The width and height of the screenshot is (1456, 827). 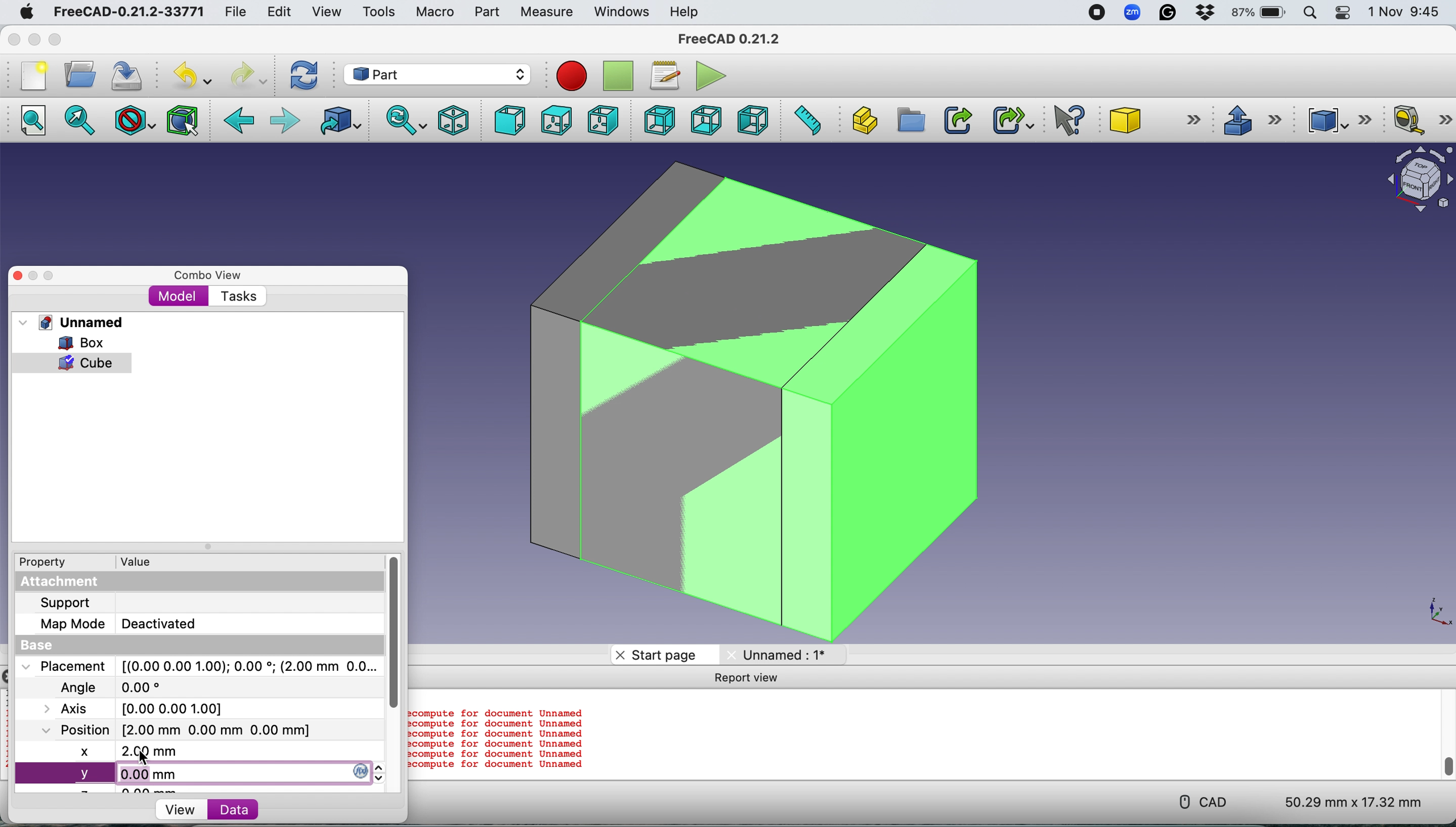 What do you see at coordinates (402, 120) in the screenshot?
I see `Sync view` at bounding box center [402, 120].